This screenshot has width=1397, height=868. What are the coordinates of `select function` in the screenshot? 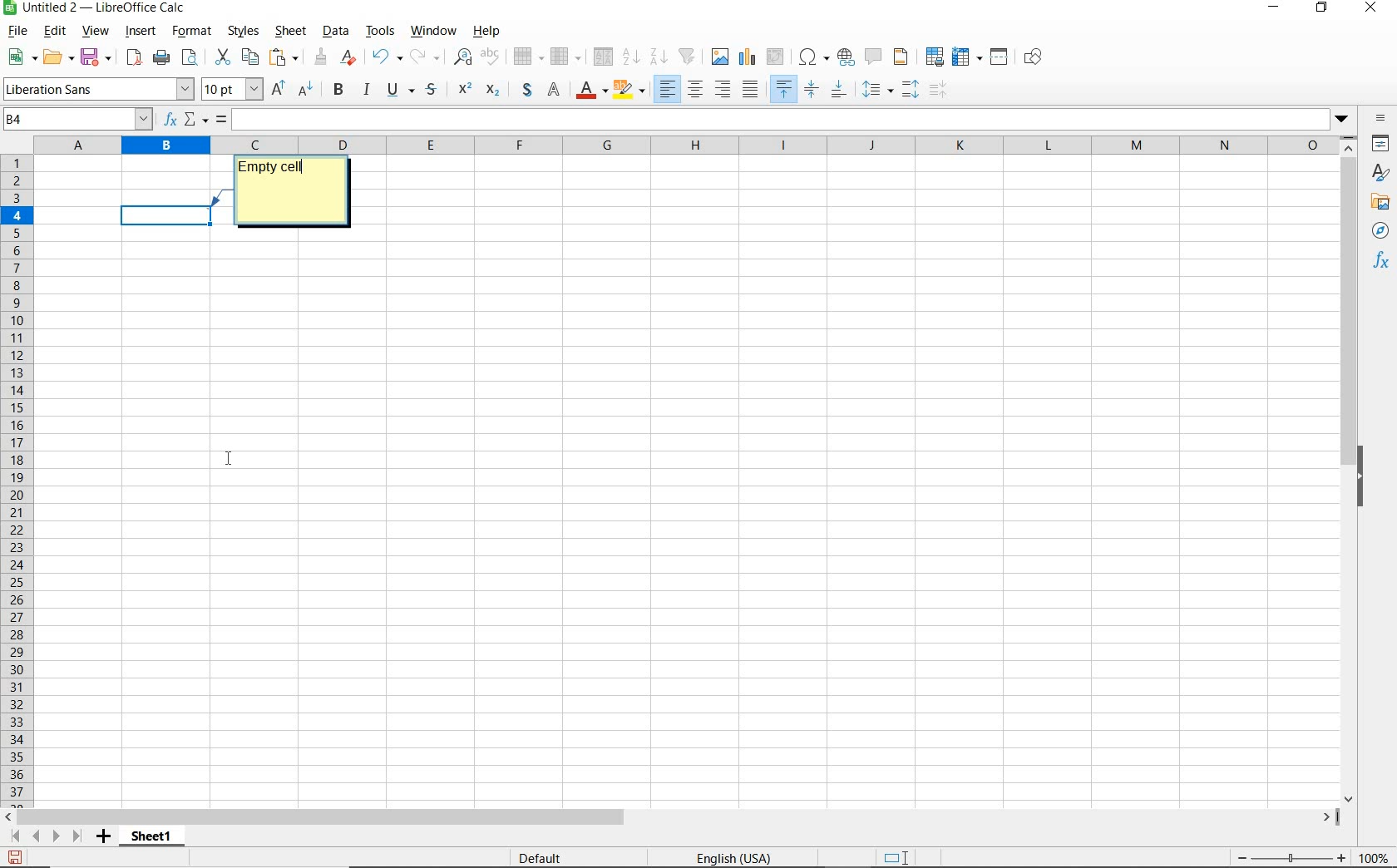 It's located at (196, 120).